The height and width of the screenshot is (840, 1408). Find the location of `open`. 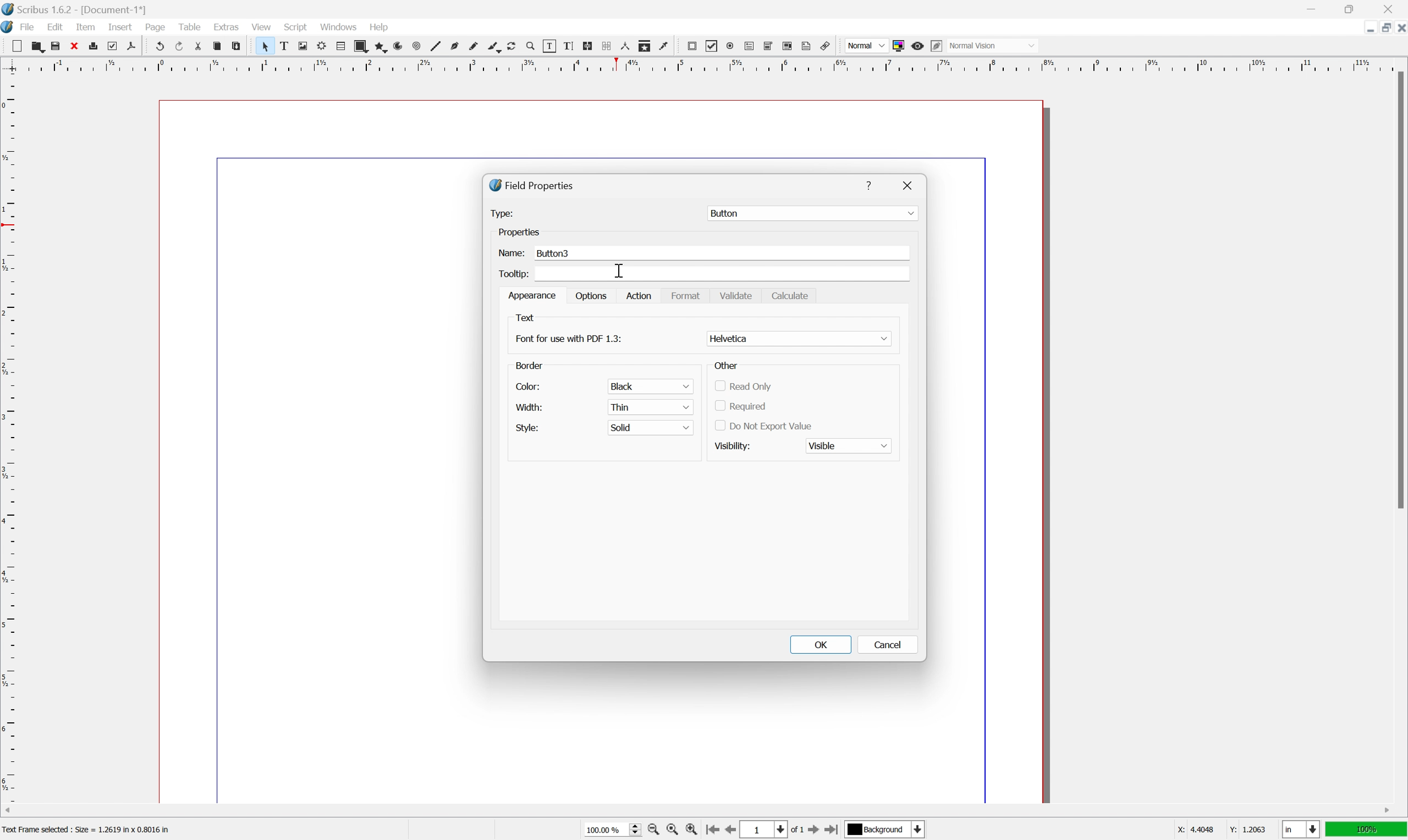

open is located at coordinates (38, 48).